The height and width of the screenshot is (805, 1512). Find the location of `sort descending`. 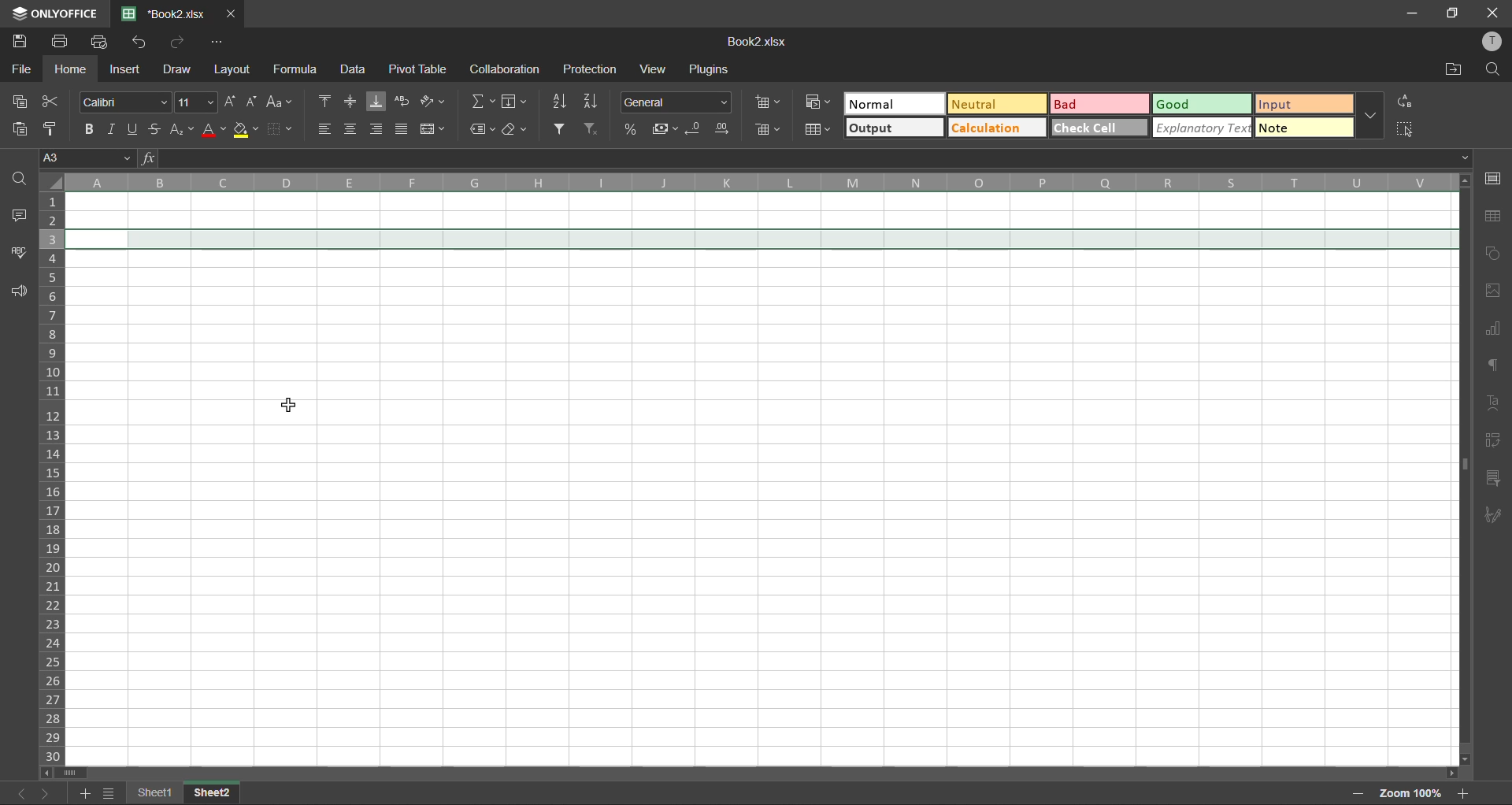

sort descending is located at coordinates (595, 101).